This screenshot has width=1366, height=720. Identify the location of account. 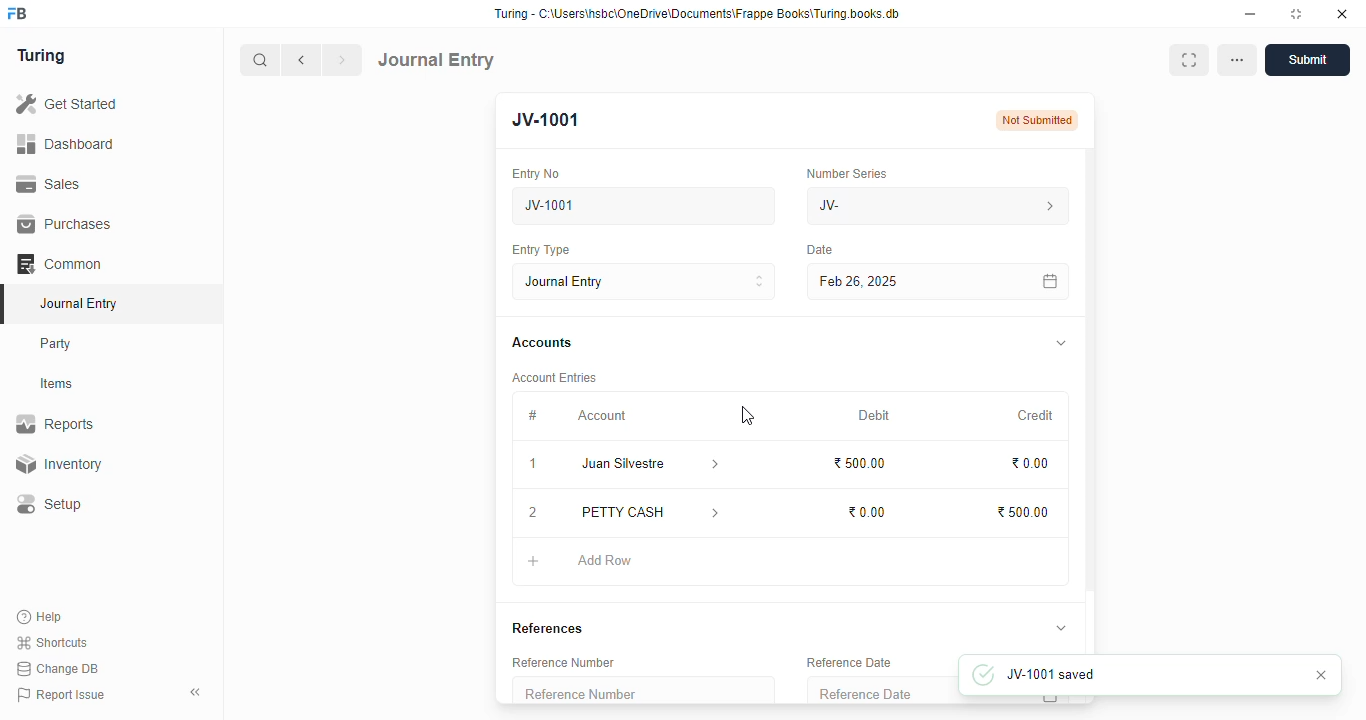
(602, 415).